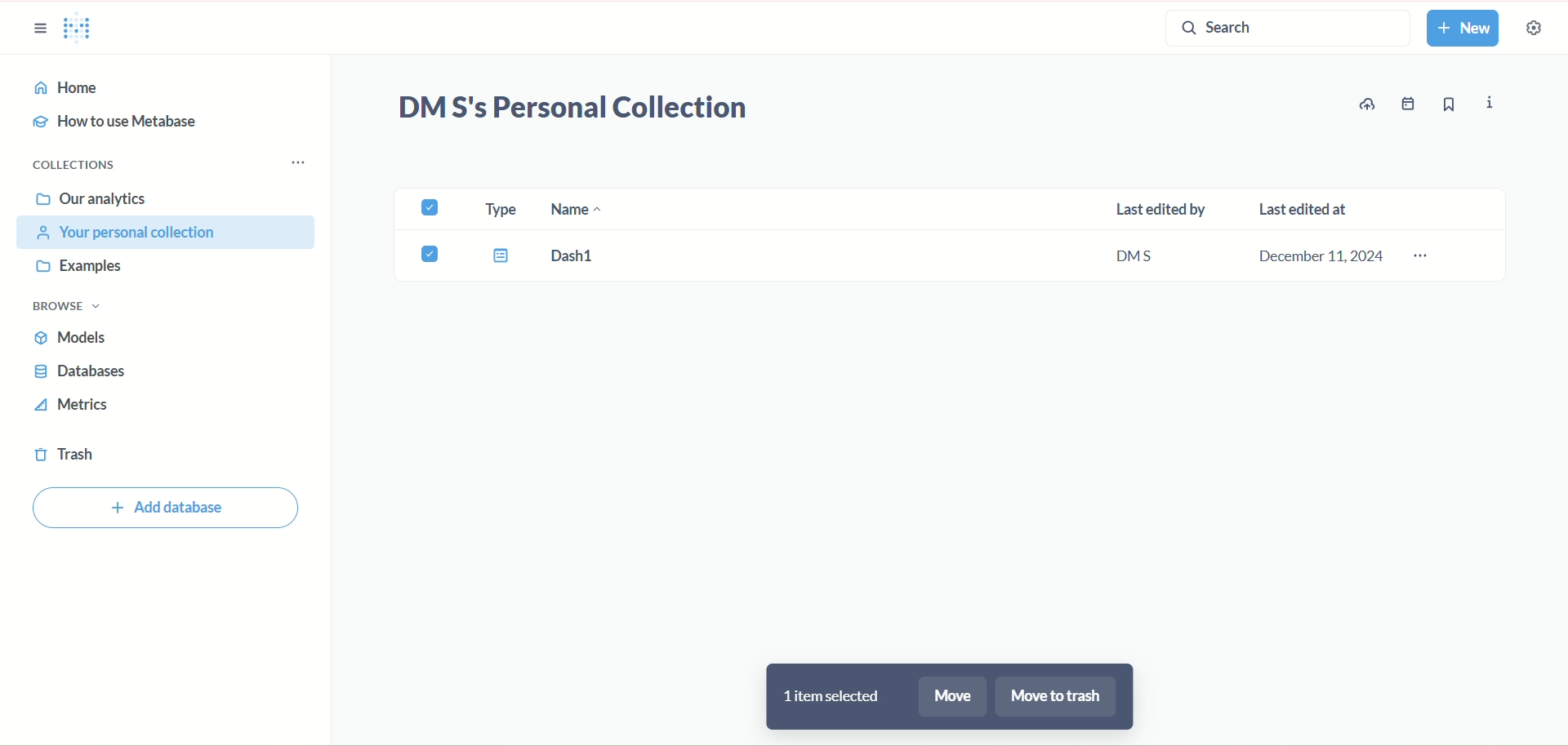 Image resolution: width=1568 pixels, height=746 pixels. What do you see at coordinates (165, 233) in the screenshot?
I see `your personal collection` at bounding box center [165, 233].